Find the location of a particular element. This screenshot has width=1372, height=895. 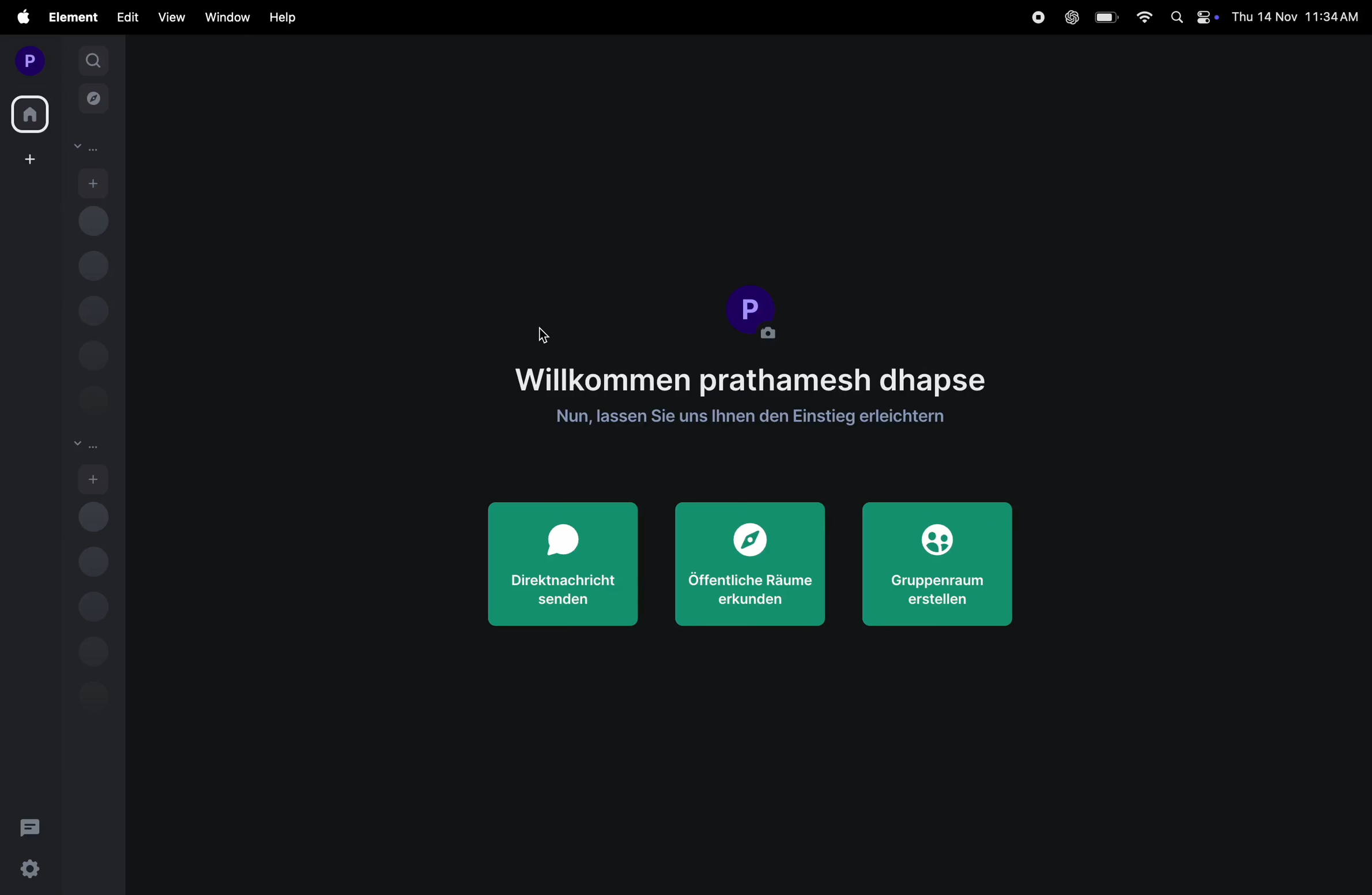

chatgpt is located at coordinates (1069, 17).